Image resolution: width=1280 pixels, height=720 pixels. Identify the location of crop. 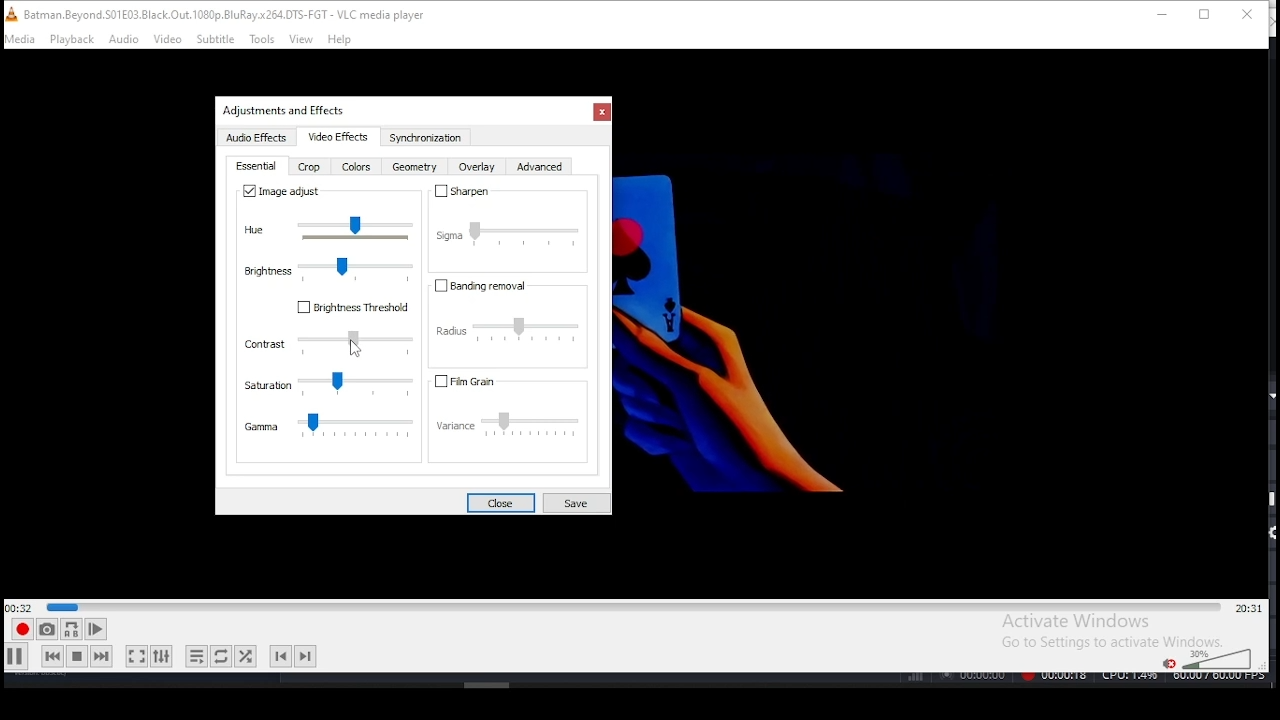
(310, 169).